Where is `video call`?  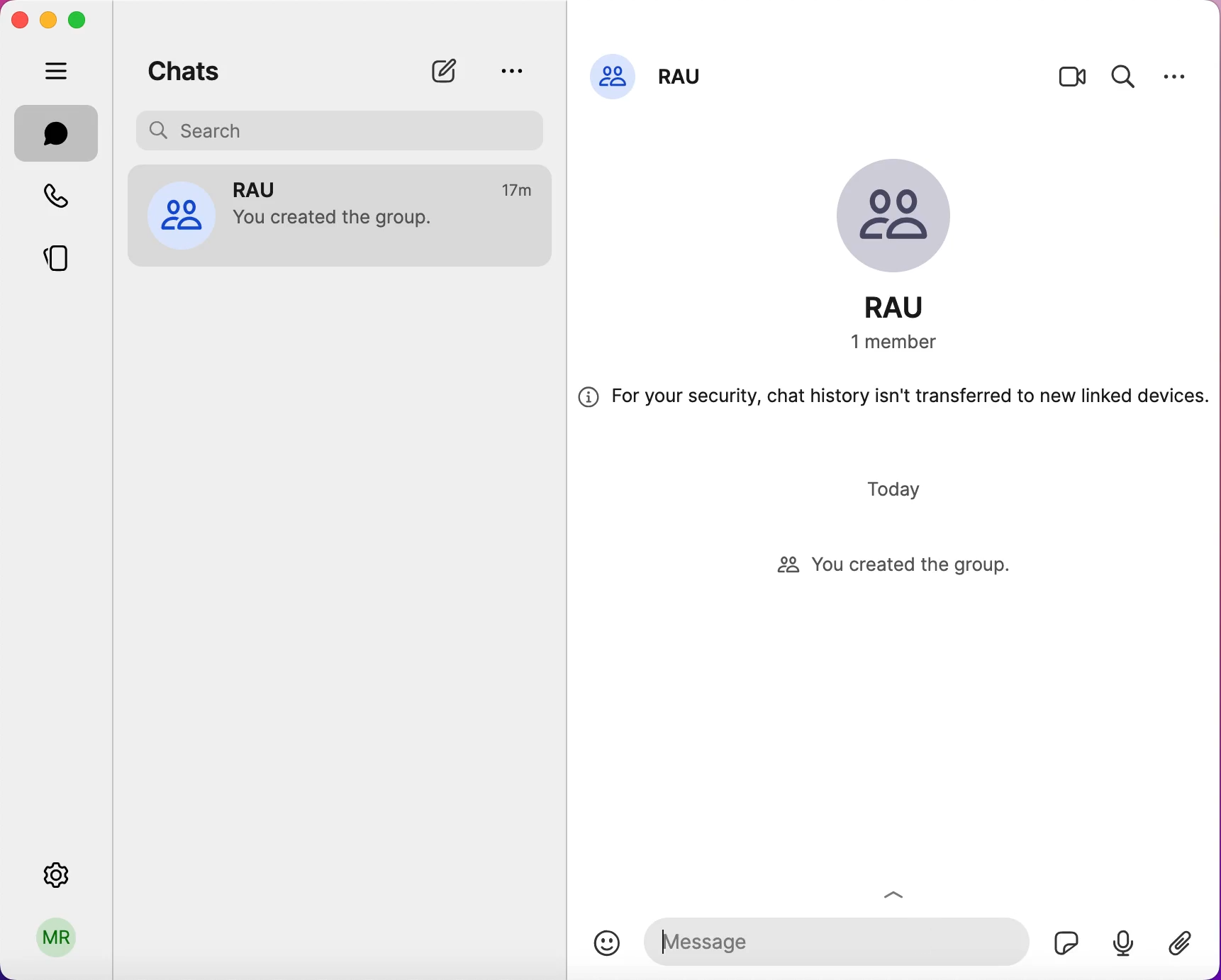
video call is located at coordinates (1073, 80).